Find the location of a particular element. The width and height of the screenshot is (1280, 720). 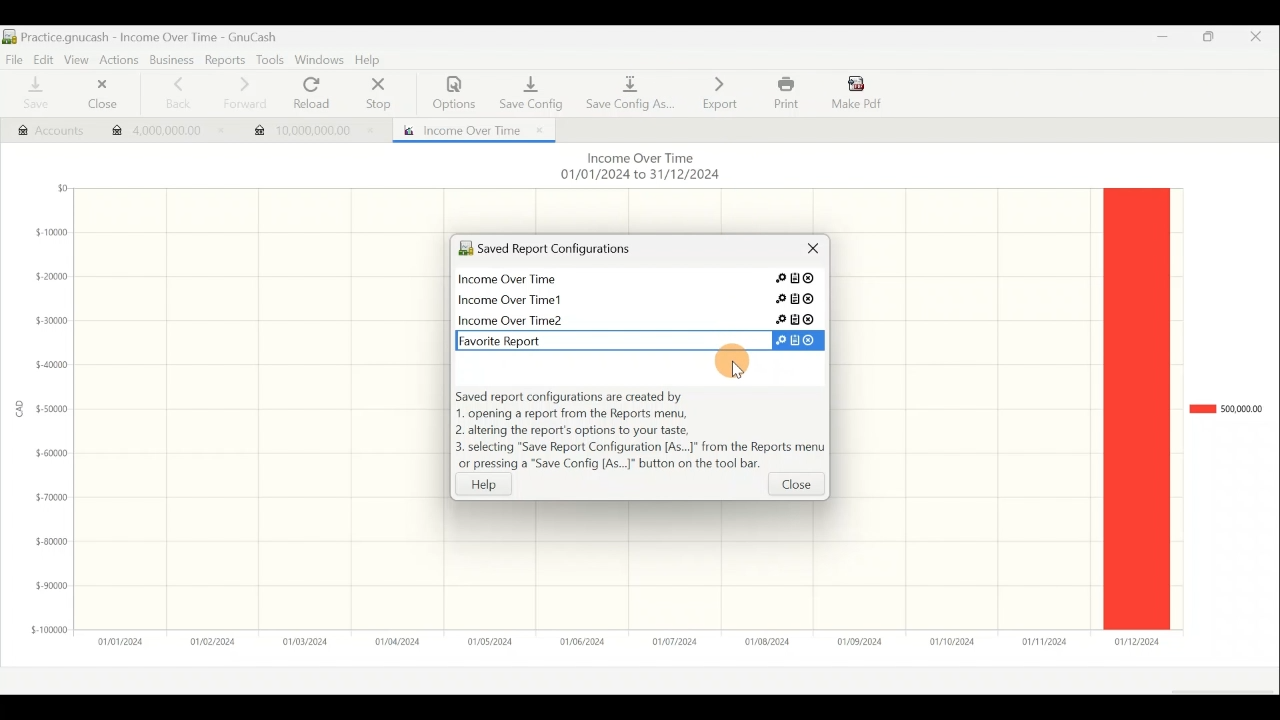

Help is located at coordinates (372, 61).